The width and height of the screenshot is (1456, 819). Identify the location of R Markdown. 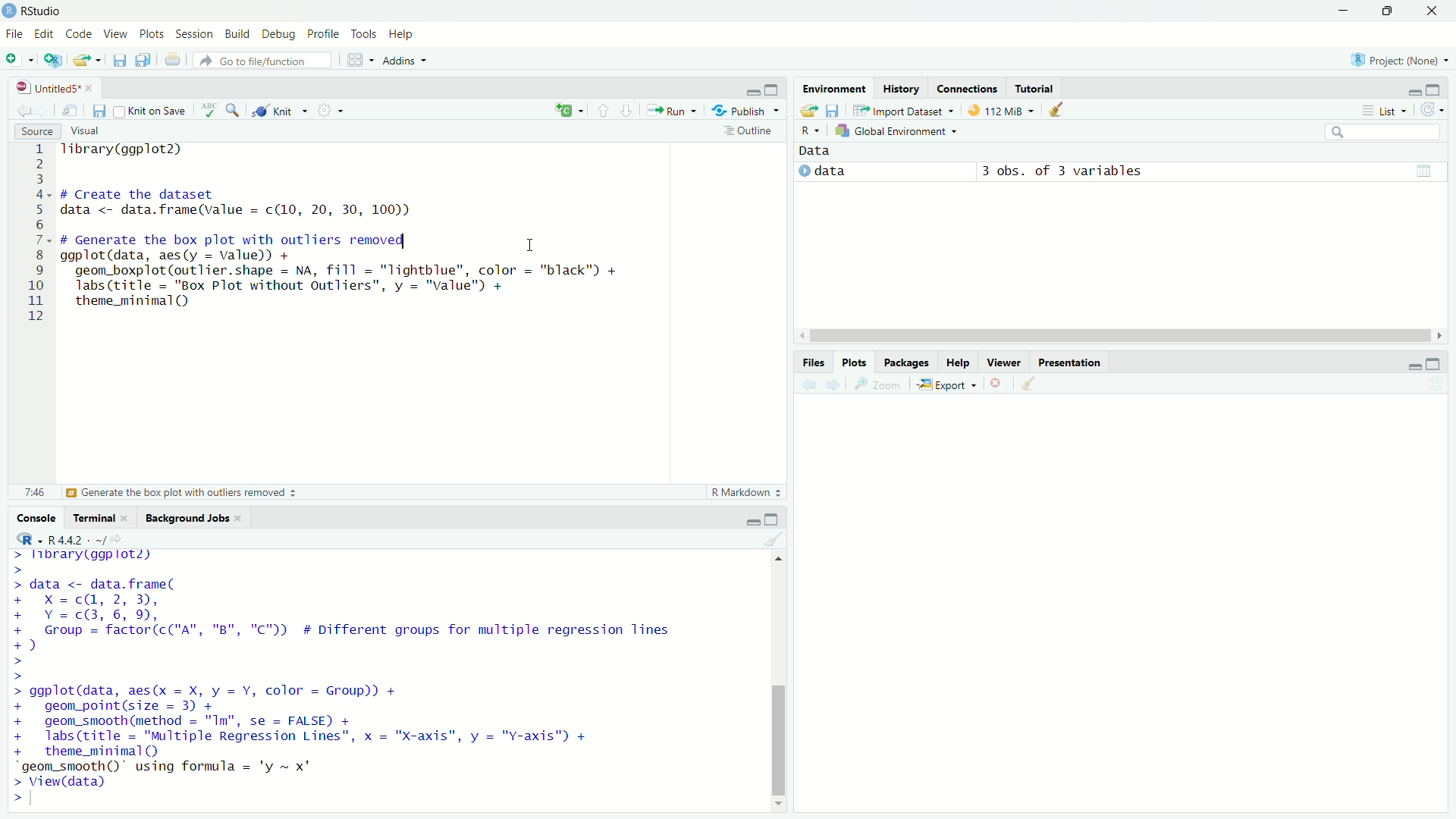
(739, 491).